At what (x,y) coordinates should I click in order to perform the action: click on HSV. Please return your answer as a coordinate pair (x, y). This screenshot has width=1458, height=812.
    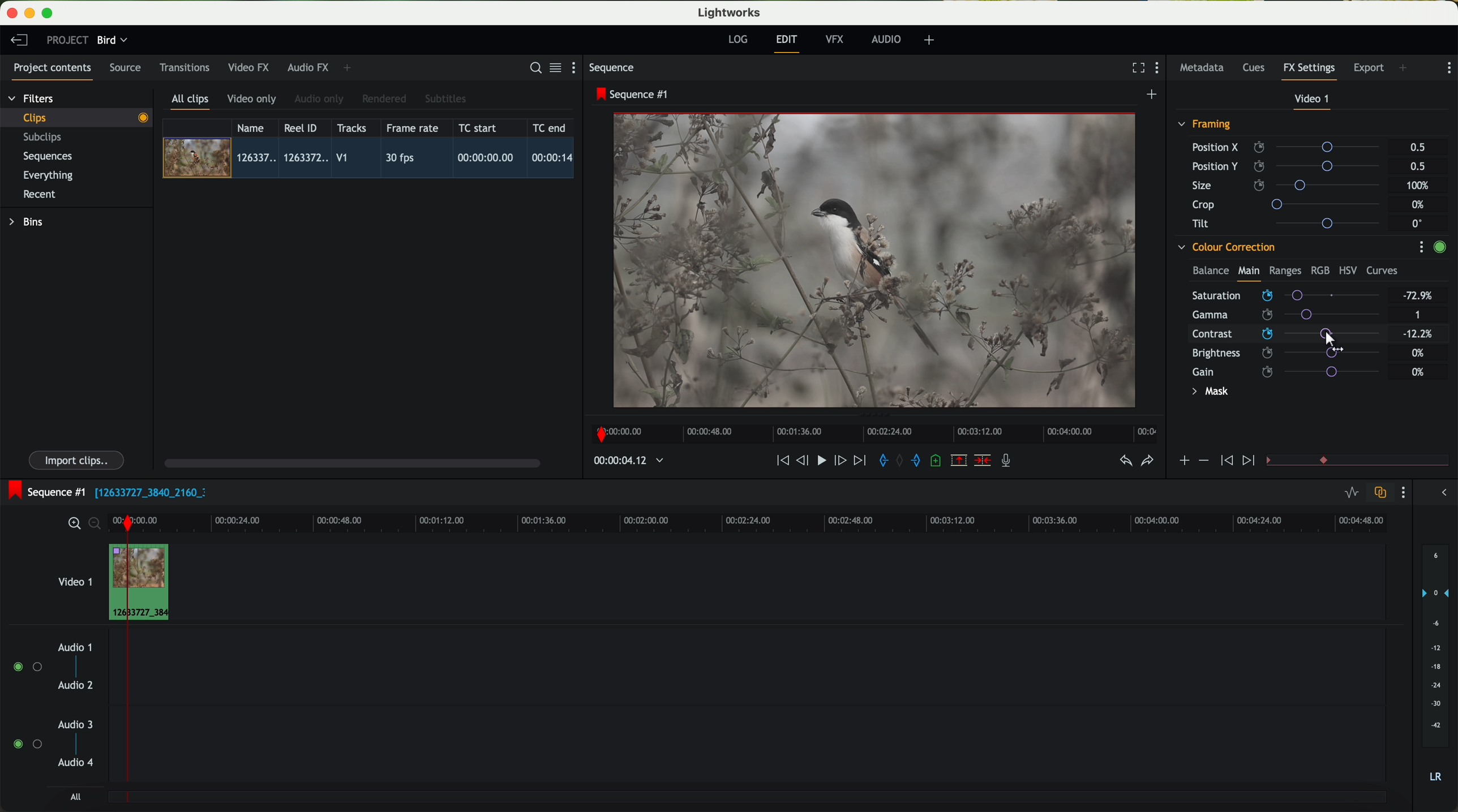
    Looking at the image, I should click on (1347, 270).